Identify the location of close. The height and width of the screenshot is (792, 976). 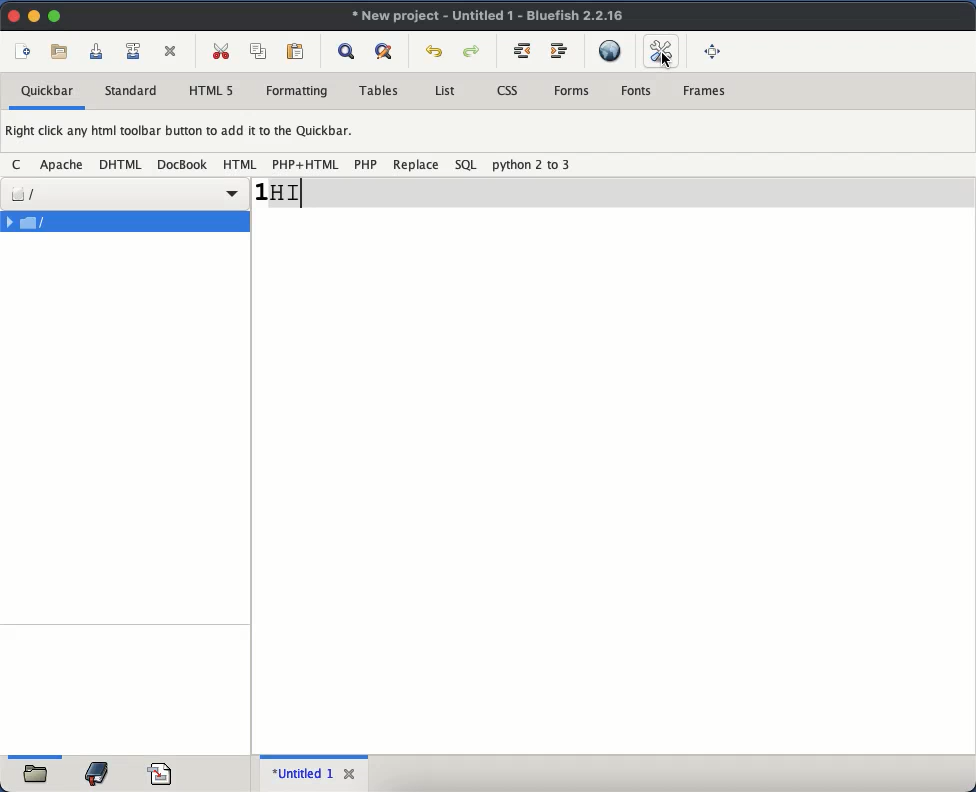
(353, 774).